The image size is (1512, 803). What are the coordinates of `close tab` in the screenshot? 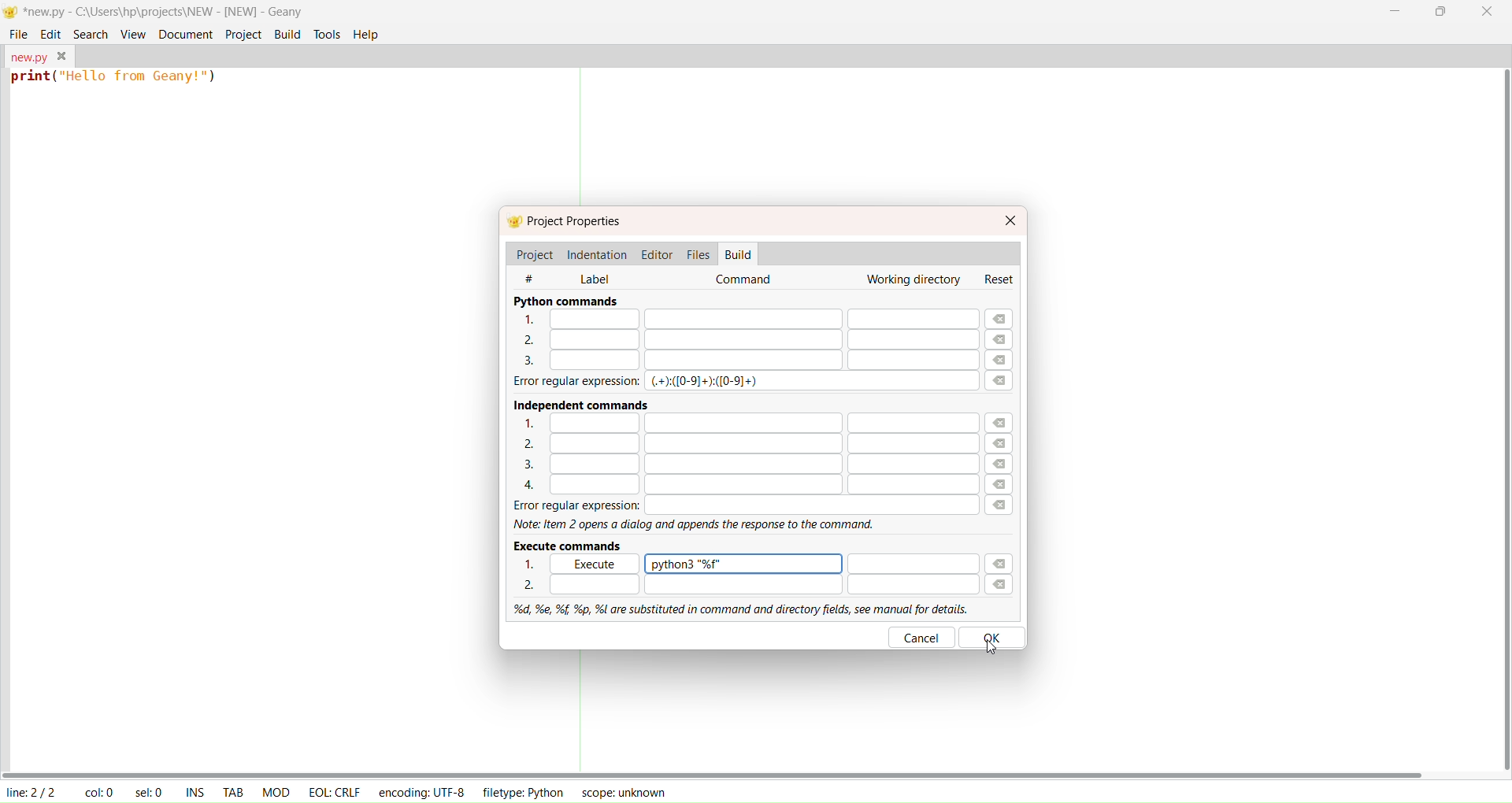 It's located at (62, 56).